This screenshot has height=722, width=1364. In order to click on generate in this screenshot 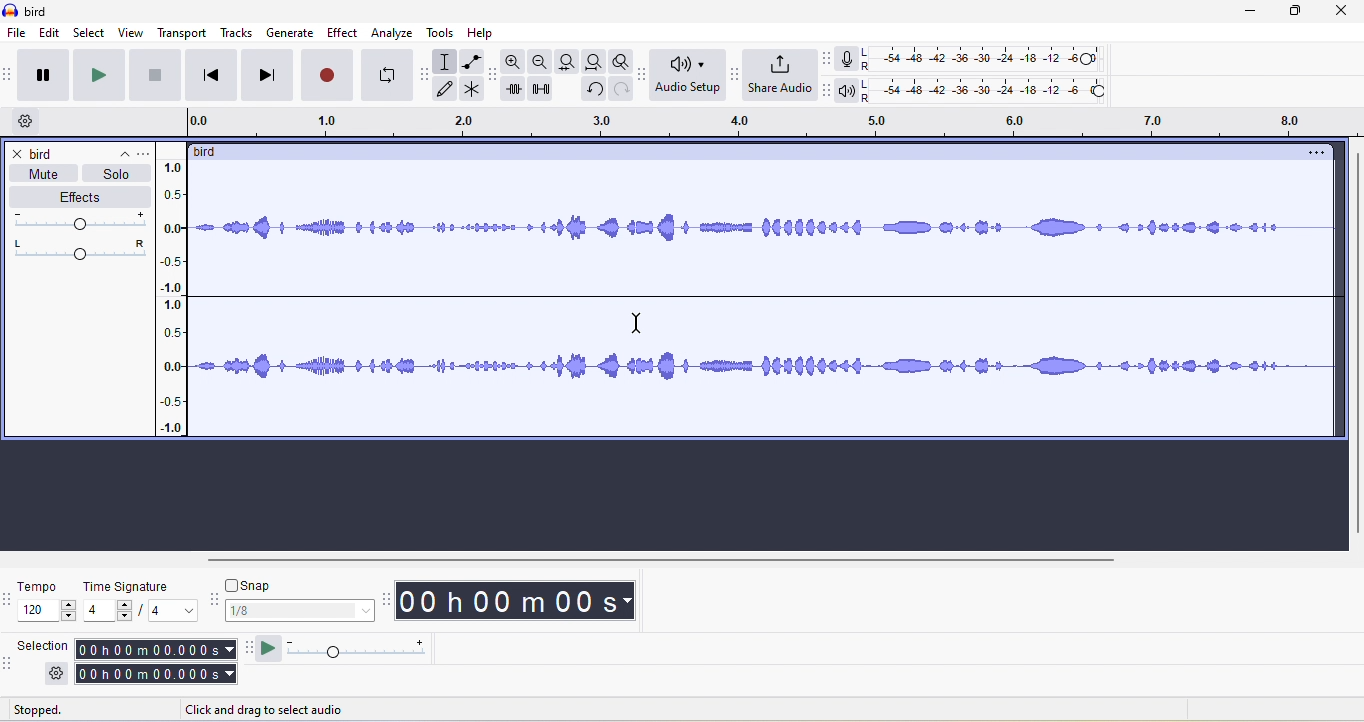, I will do `click(291, 33)`.